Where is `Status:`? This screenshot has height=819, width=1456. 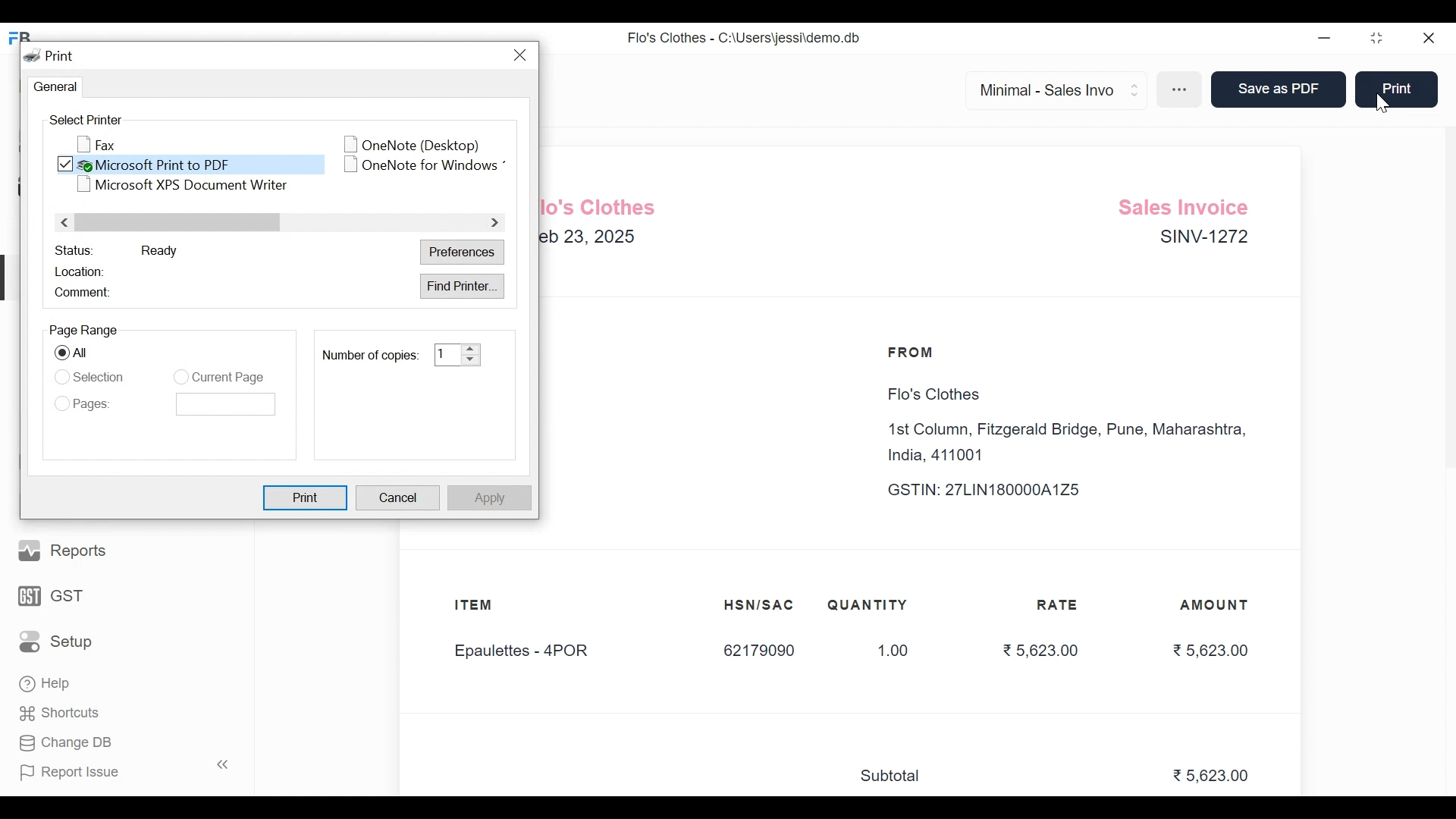
Status: is located at coordinates (74, 249).